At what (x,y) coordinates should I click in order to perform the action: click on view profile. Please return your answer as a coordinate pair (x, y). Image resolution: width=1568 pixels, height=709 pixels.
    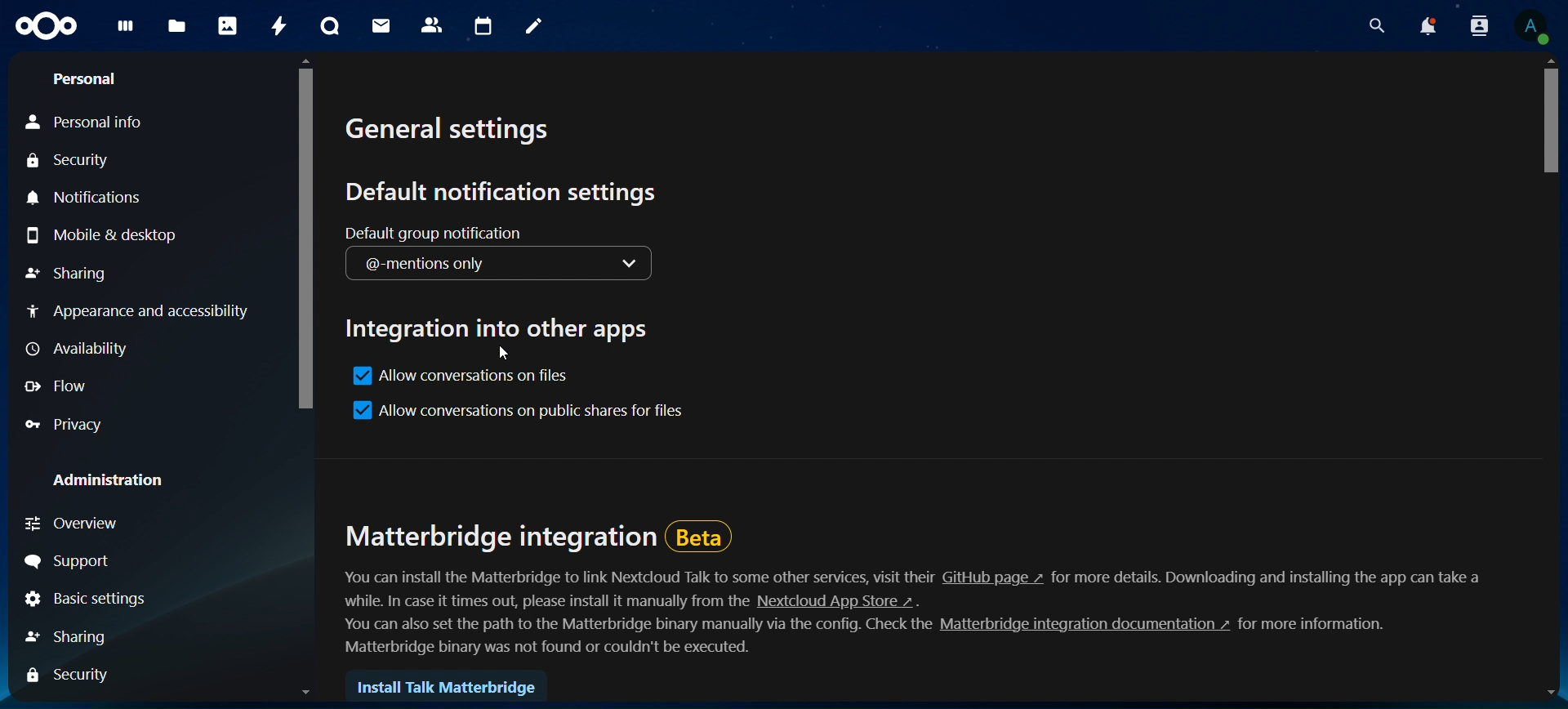
    Looking at the image, I should click on (1535, 25).